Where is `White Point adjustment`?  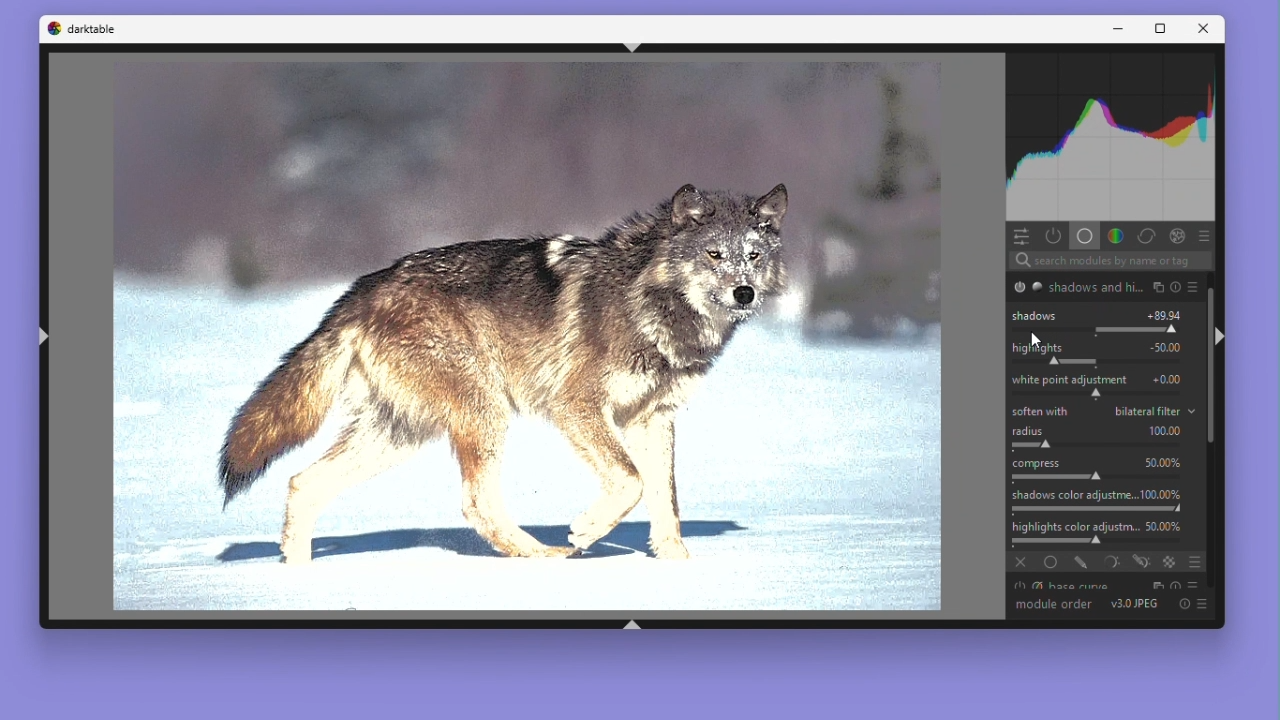 White Point adjustment is located at coordinates (1068, 379).